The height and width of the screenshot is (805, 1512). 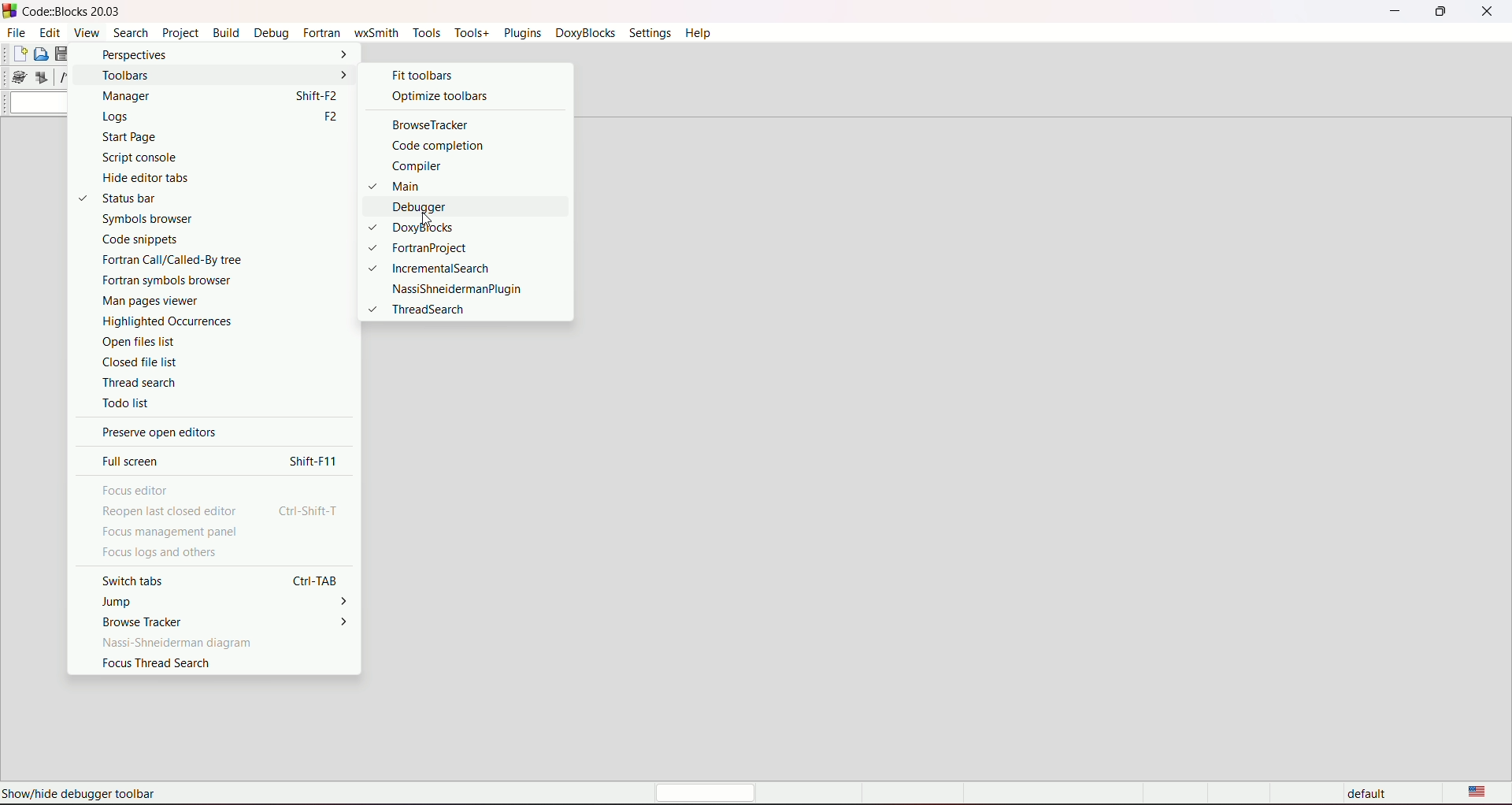 I want to click on arrow, so click(x=346, y=603).